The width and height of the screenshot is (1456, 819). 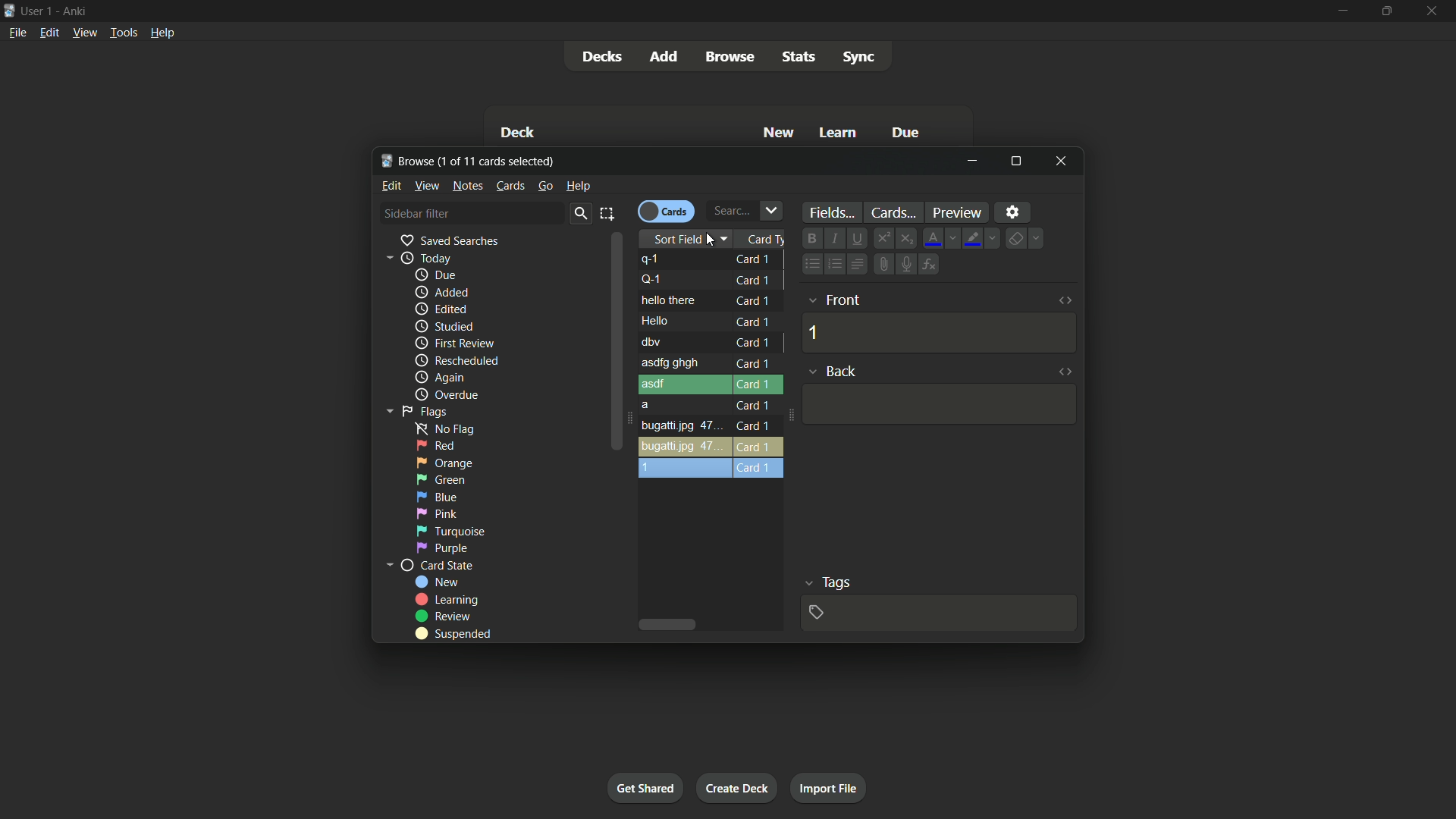 What do you see at coordinates (427, 185) in the screenshot?
I see `view` at bounding box center [427, 185].